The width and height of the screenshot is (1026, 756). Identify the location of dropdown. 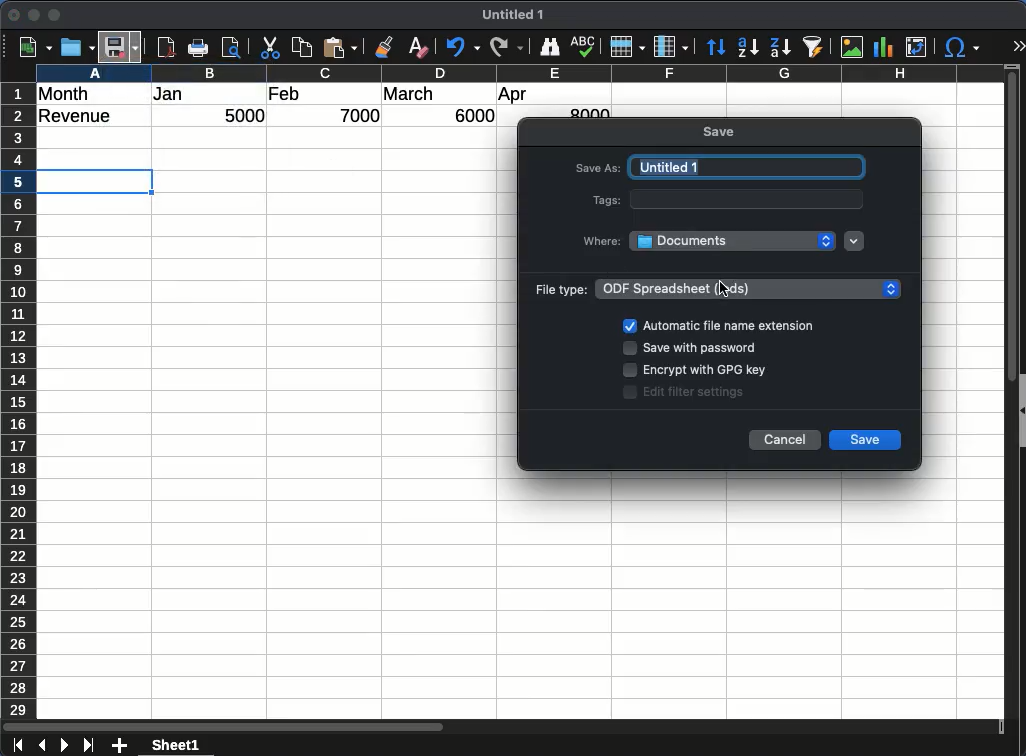
(855, 242).